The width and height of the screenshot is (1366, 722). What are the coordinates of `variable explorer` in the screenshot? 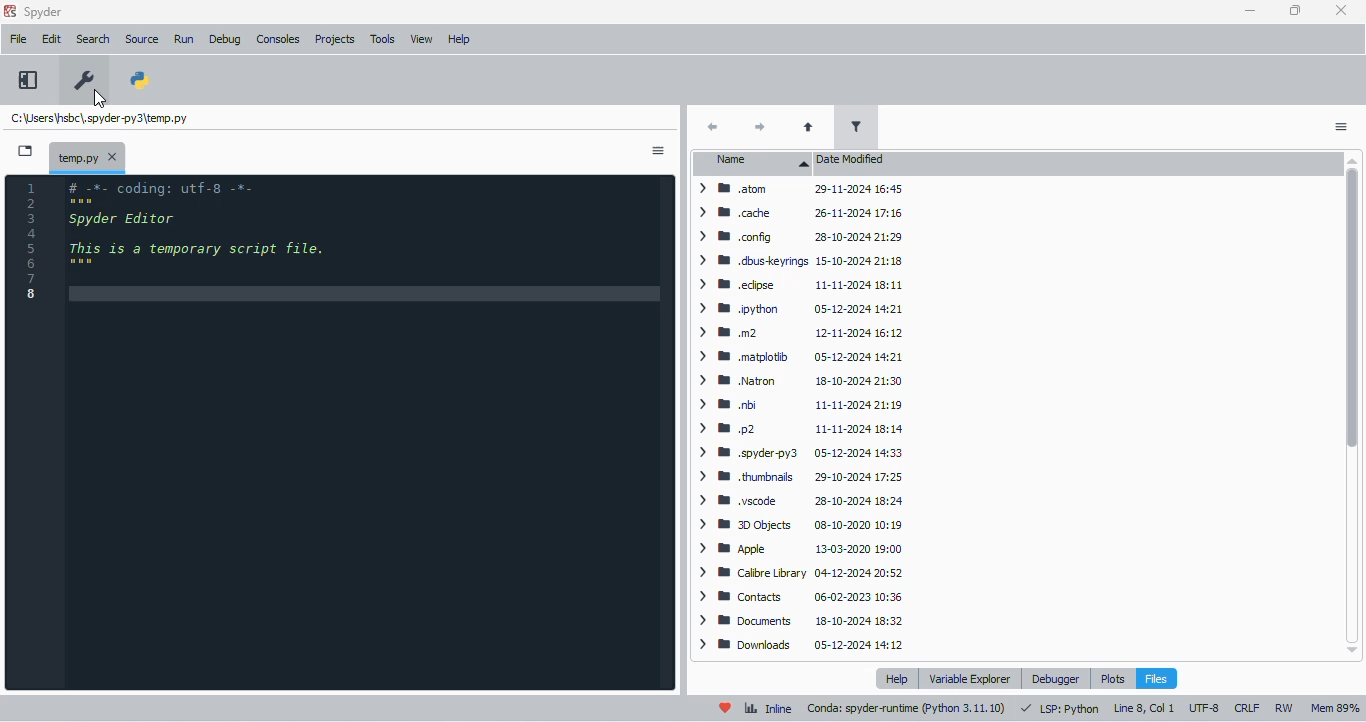 It's located at (971, 678).